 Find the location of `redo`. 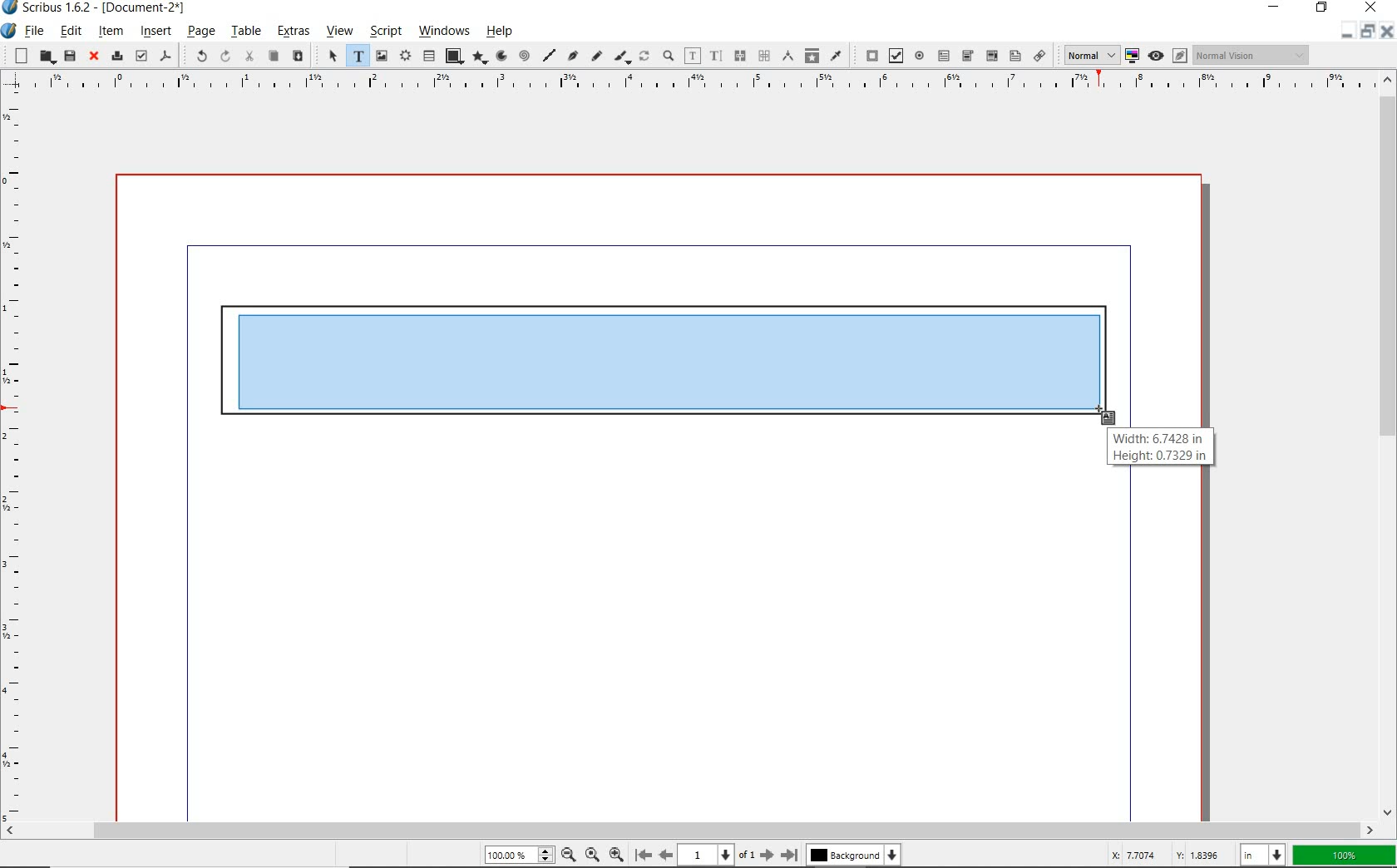

redo is located at coordinates (225, 56).